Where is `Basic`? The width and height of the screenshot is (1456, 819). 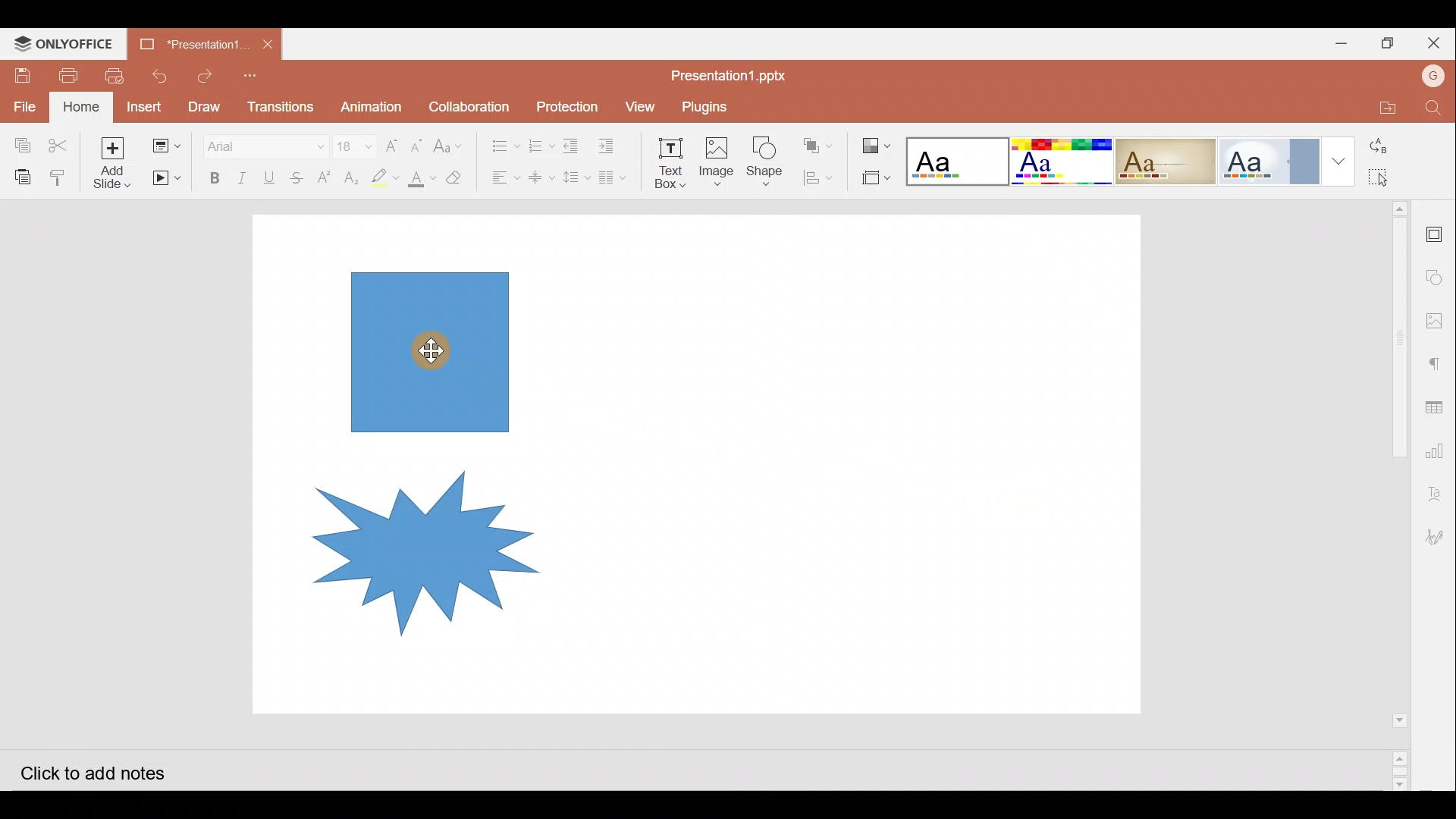 Basic is located at coordinates (1060, 162).